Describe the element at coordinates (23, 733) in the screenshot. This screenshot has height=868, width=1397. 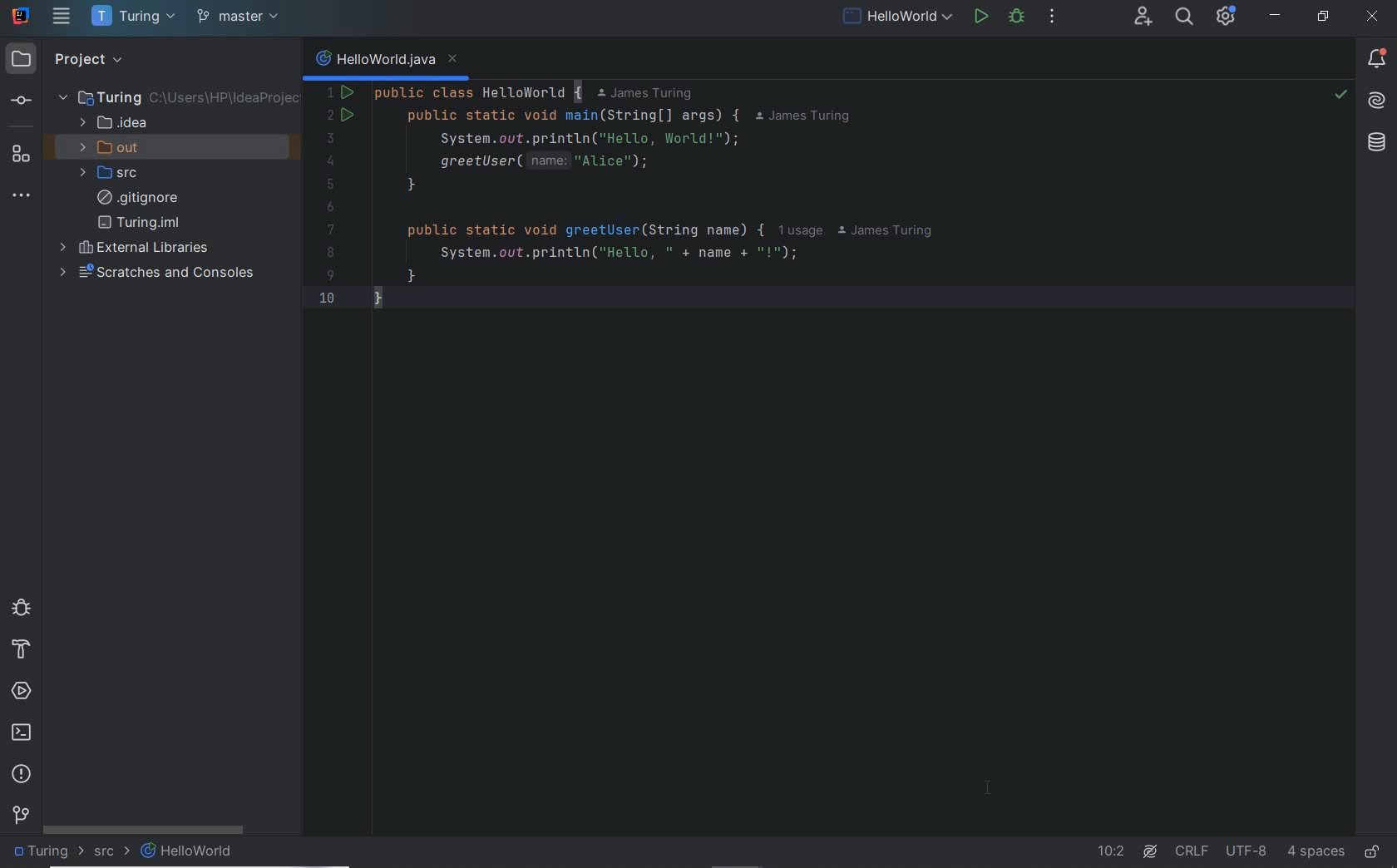
I see `terminal` at that location.